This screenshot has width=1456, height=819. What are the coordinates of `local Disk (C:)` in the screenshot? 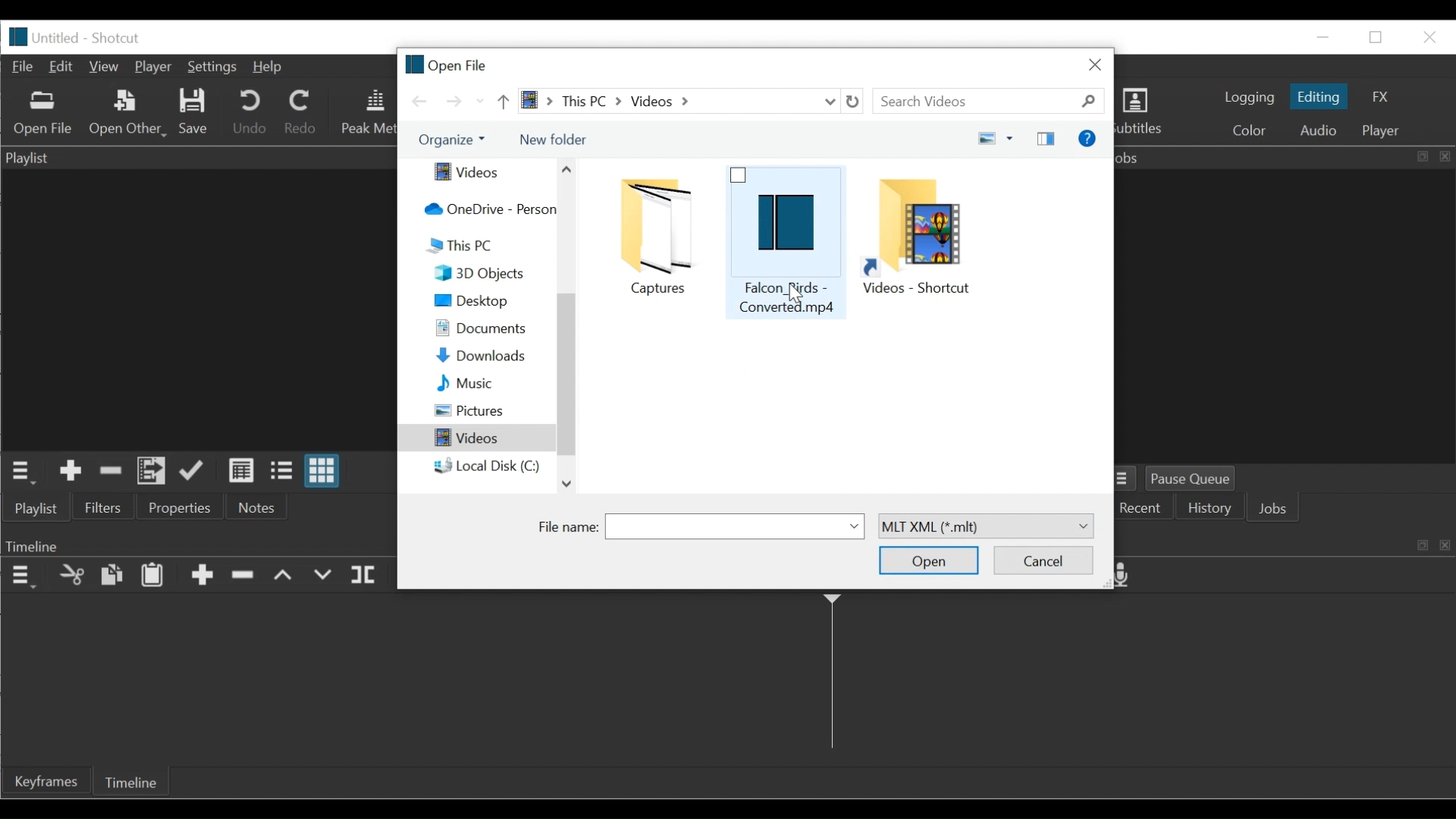 It's located at (488, 466).